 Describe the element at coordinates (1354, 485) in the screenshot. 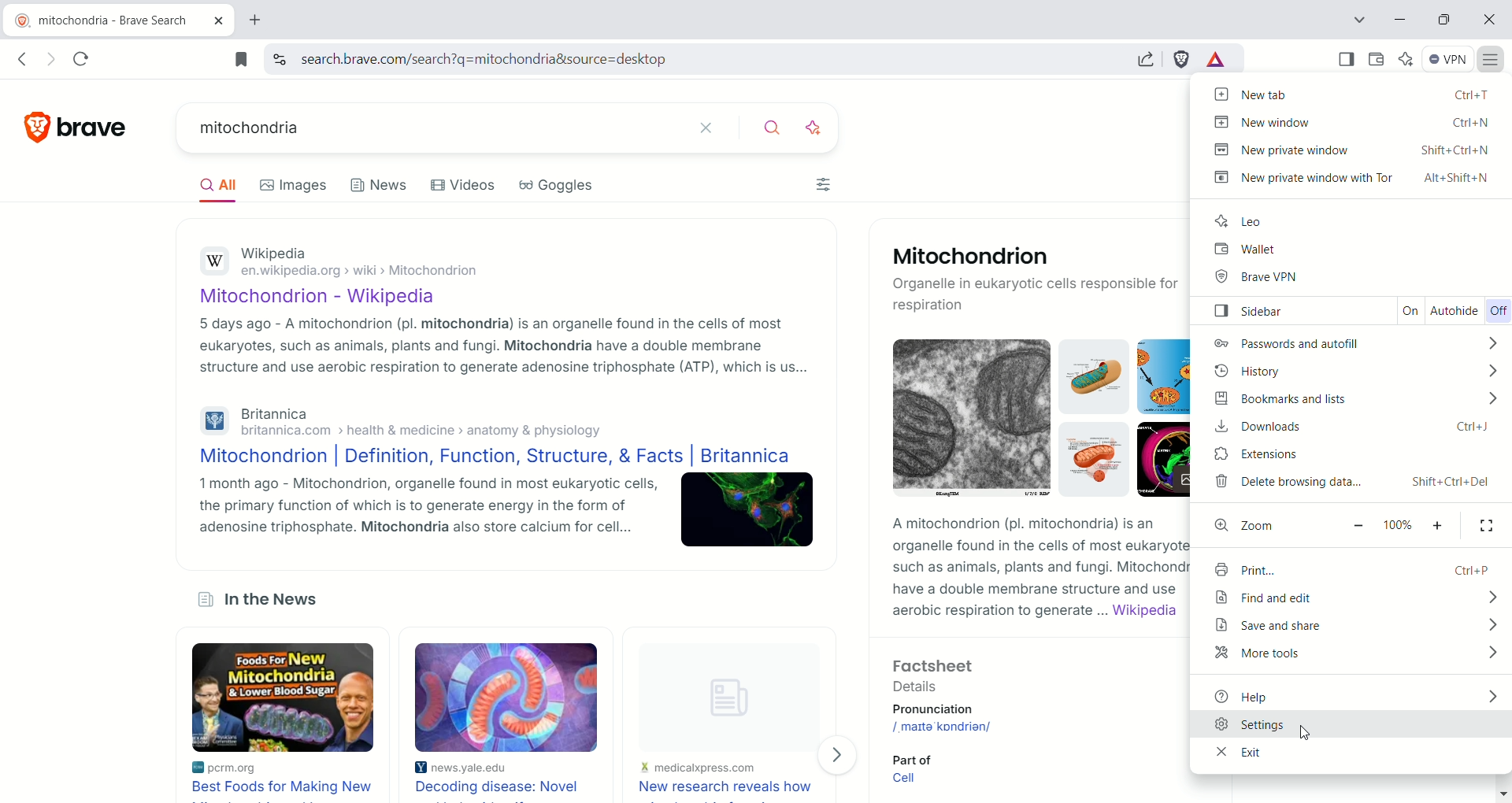

I see `delete browsing data` at that location.